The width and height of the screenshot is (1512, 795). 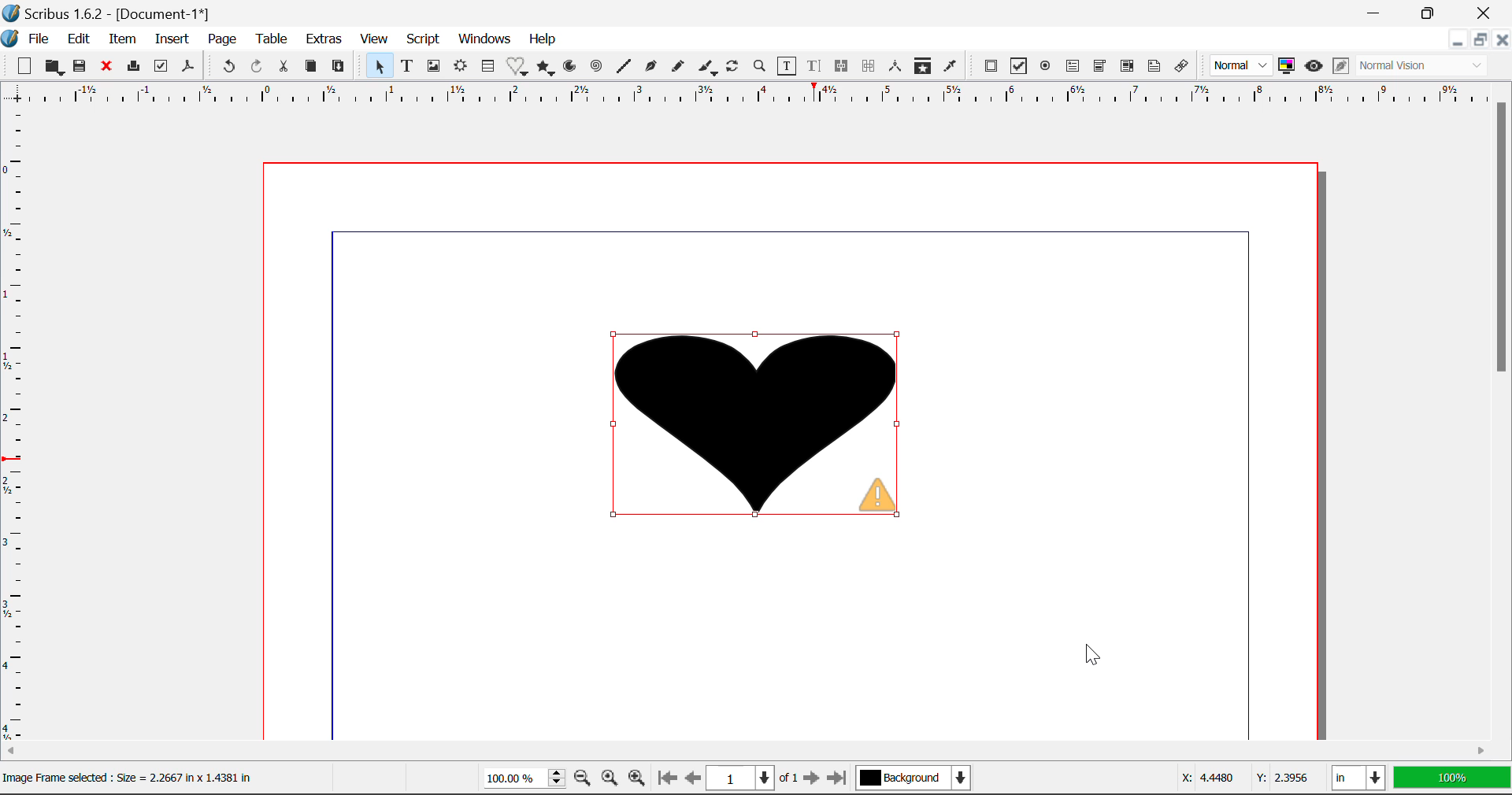 What do you see at coordinates (256, 65) in the screenshot?
I see `Redo` at bounding box center [256, 65].